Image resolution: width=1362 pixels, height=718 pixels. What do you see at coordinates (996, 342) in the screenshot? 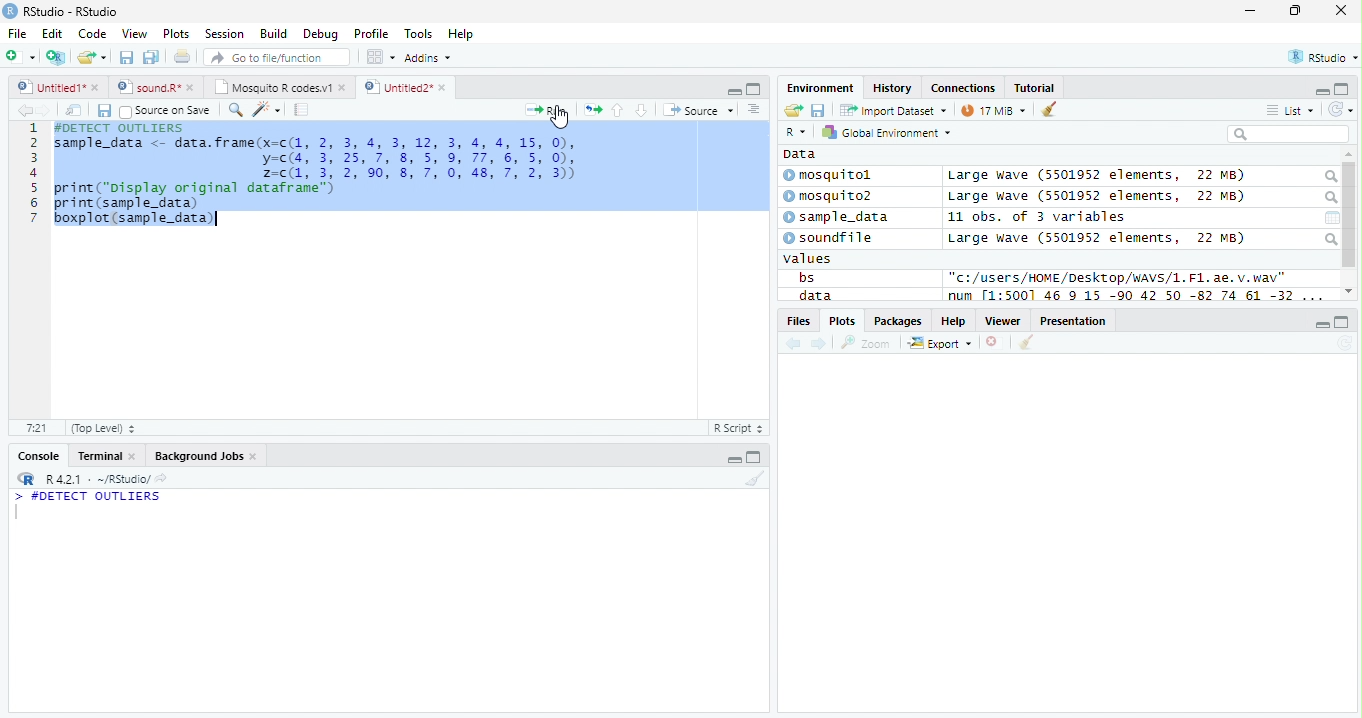
I see `delete file` at bounding box center [996, 342].